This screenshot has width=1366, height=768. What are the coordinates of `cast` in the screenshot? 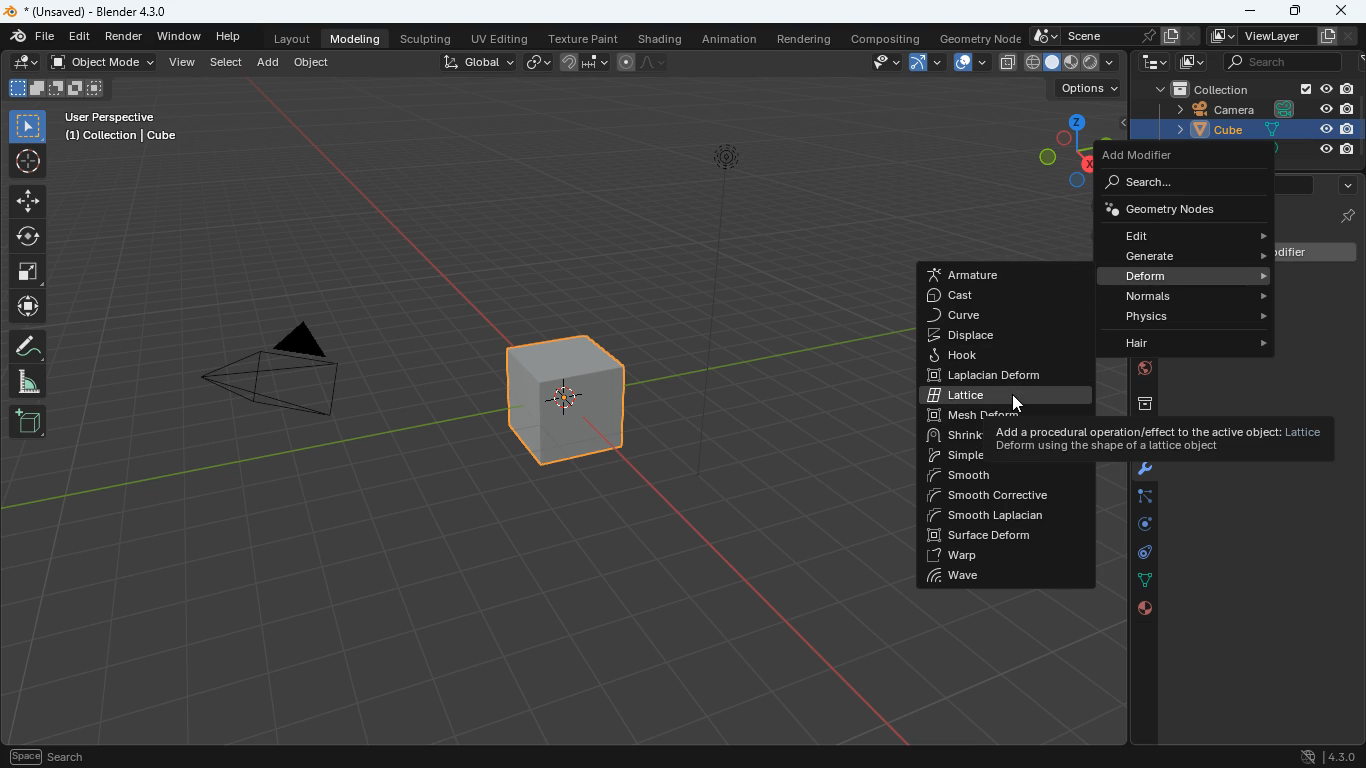 It's located at (972, 296).